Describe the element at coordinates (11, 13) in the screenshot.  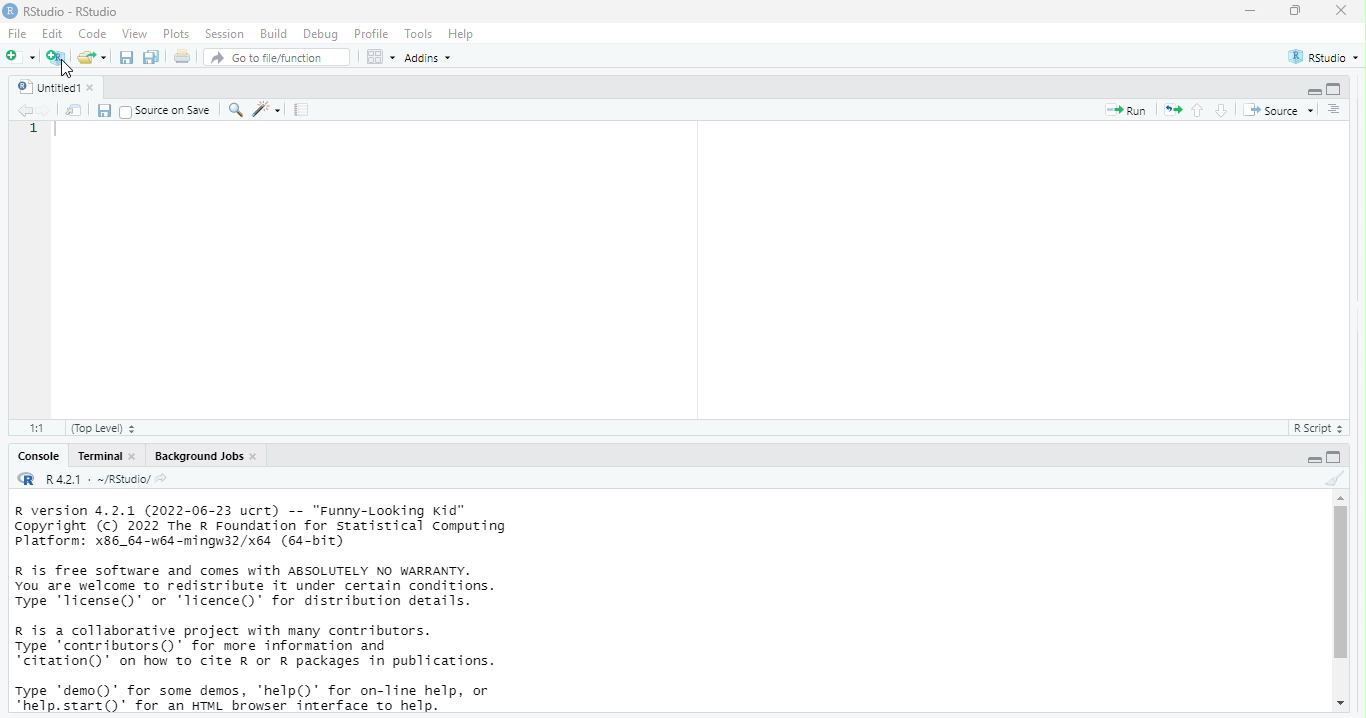
I see `logo` at that location.